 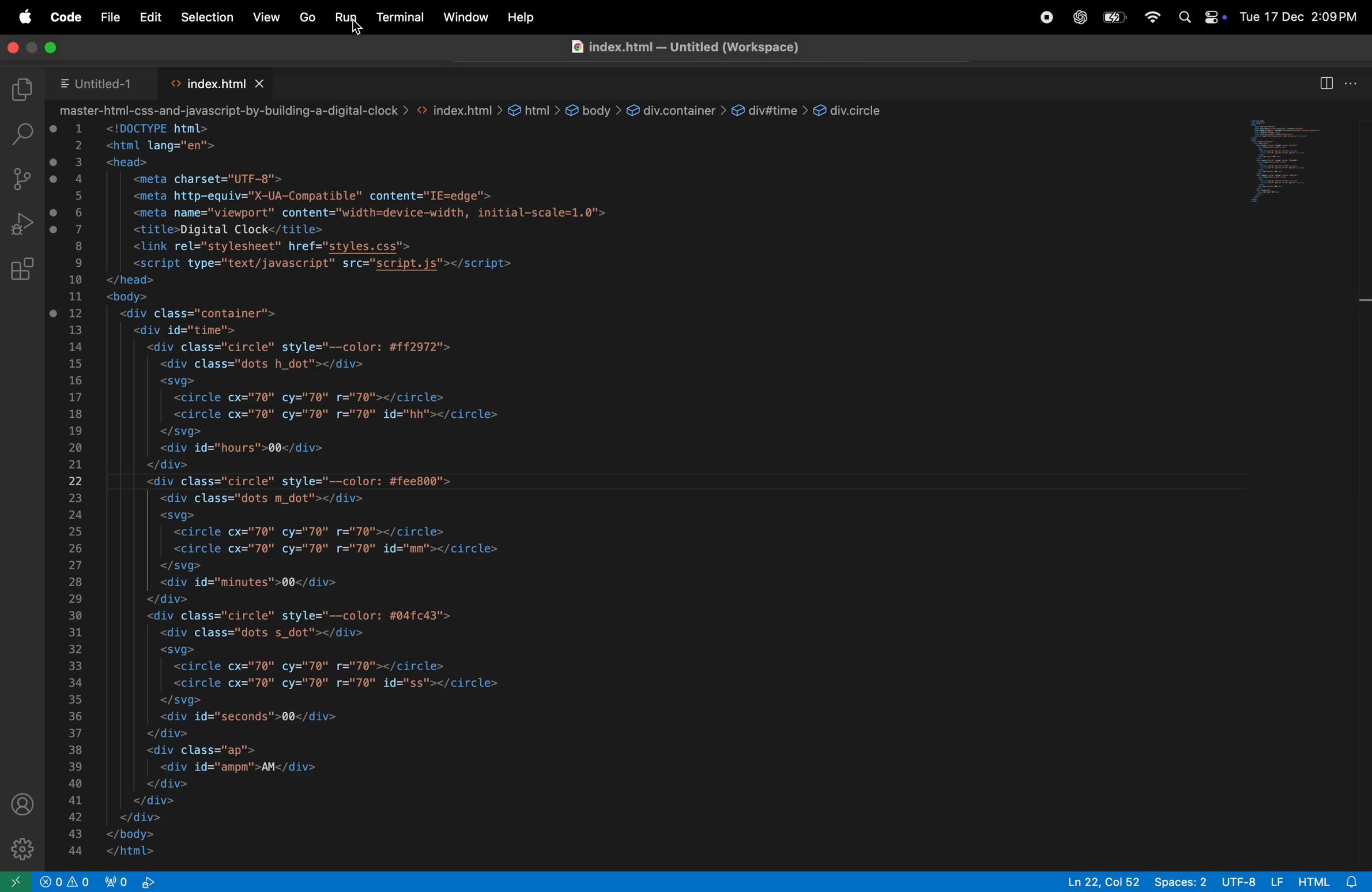 I want to click on window, so click(x=465, y=17).